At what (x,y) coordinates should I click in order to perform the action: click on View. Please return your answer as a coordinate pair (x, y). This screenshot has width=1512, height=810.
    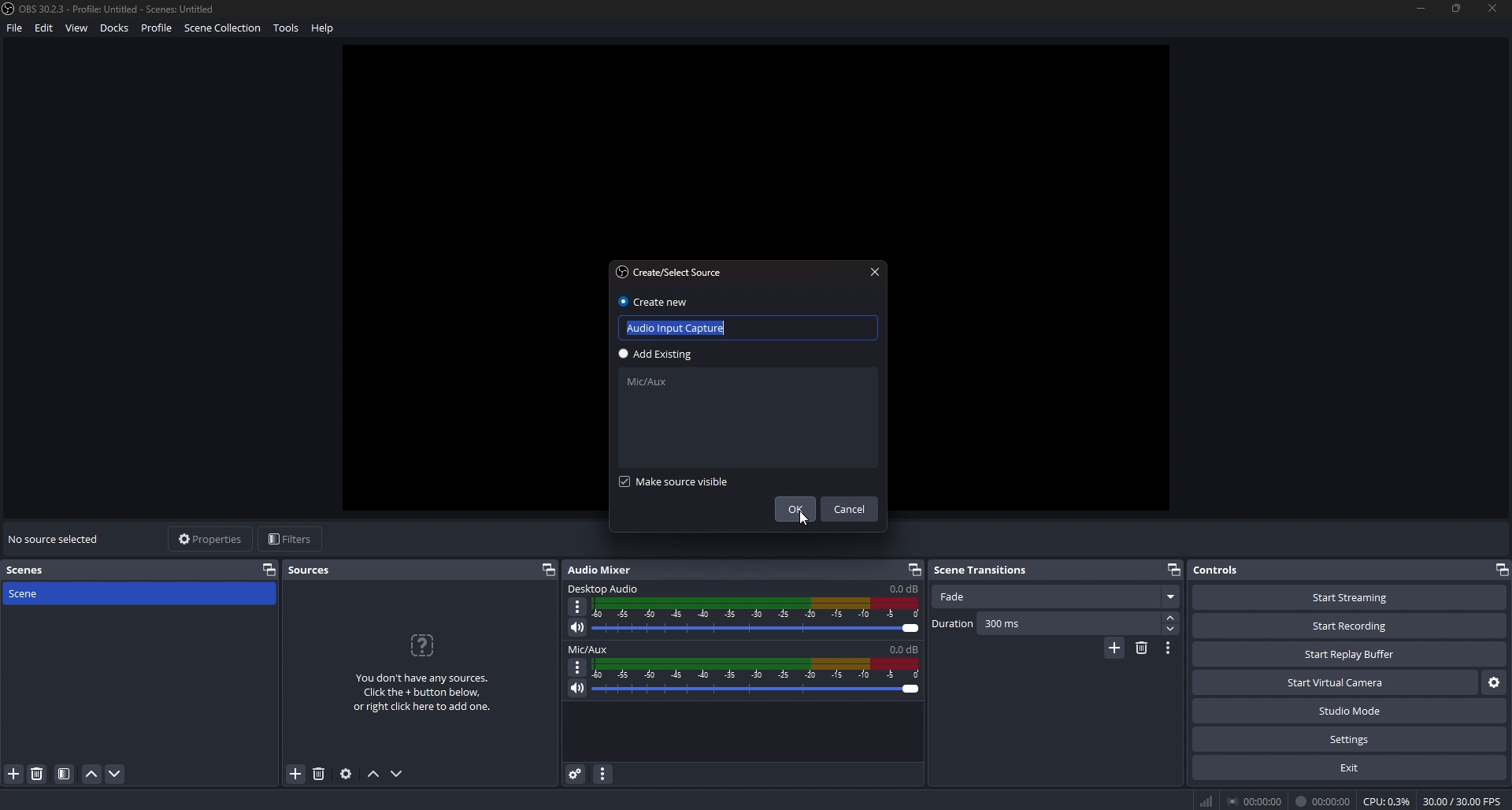
    Looking at the image, I should click on (78, 28).